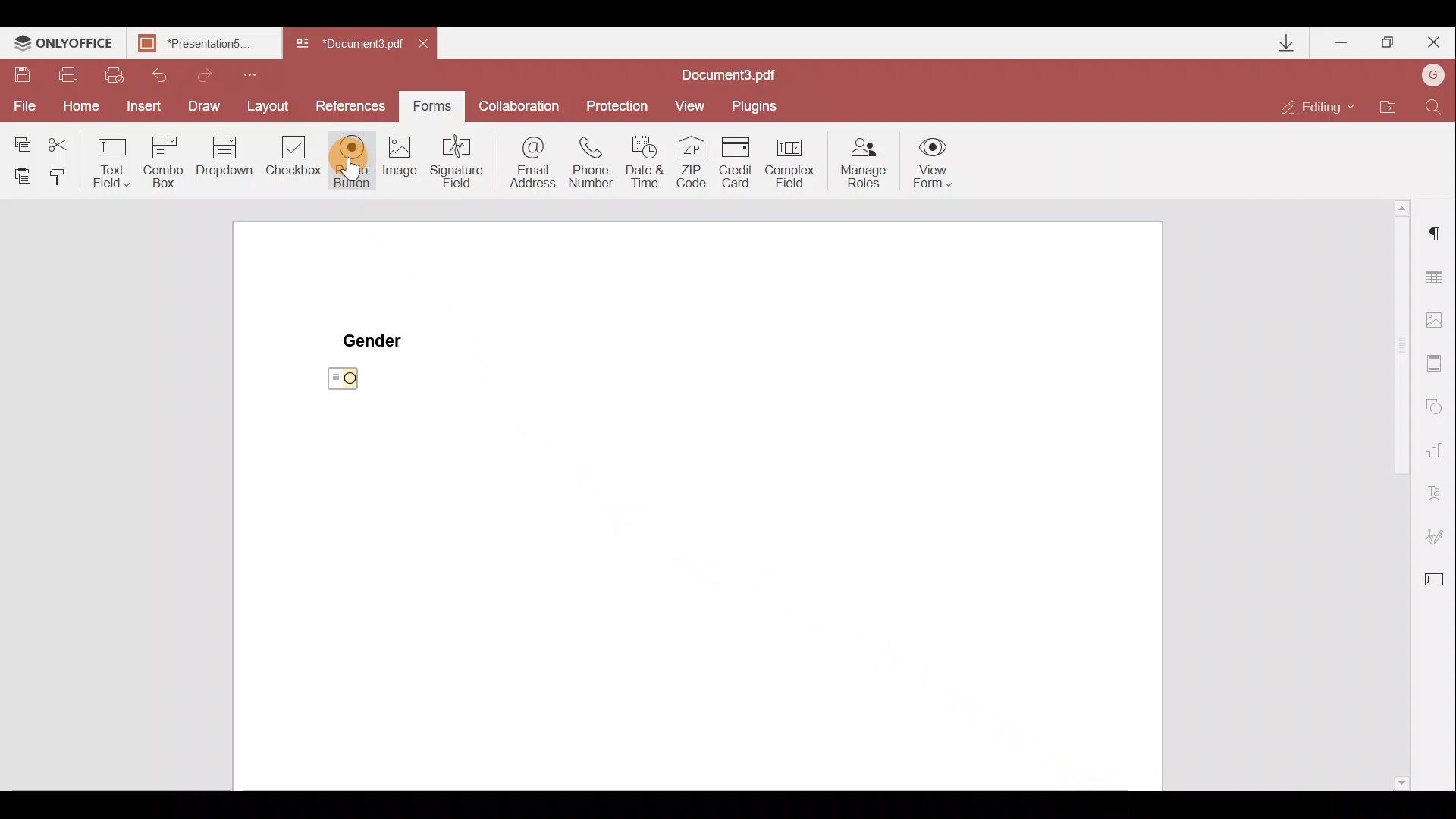 This screenshot has width=1456, height=819. What do you see at coordinates (692, 162) in the screenshot?
I see `ZIP code` at bounding box center [692, 162].